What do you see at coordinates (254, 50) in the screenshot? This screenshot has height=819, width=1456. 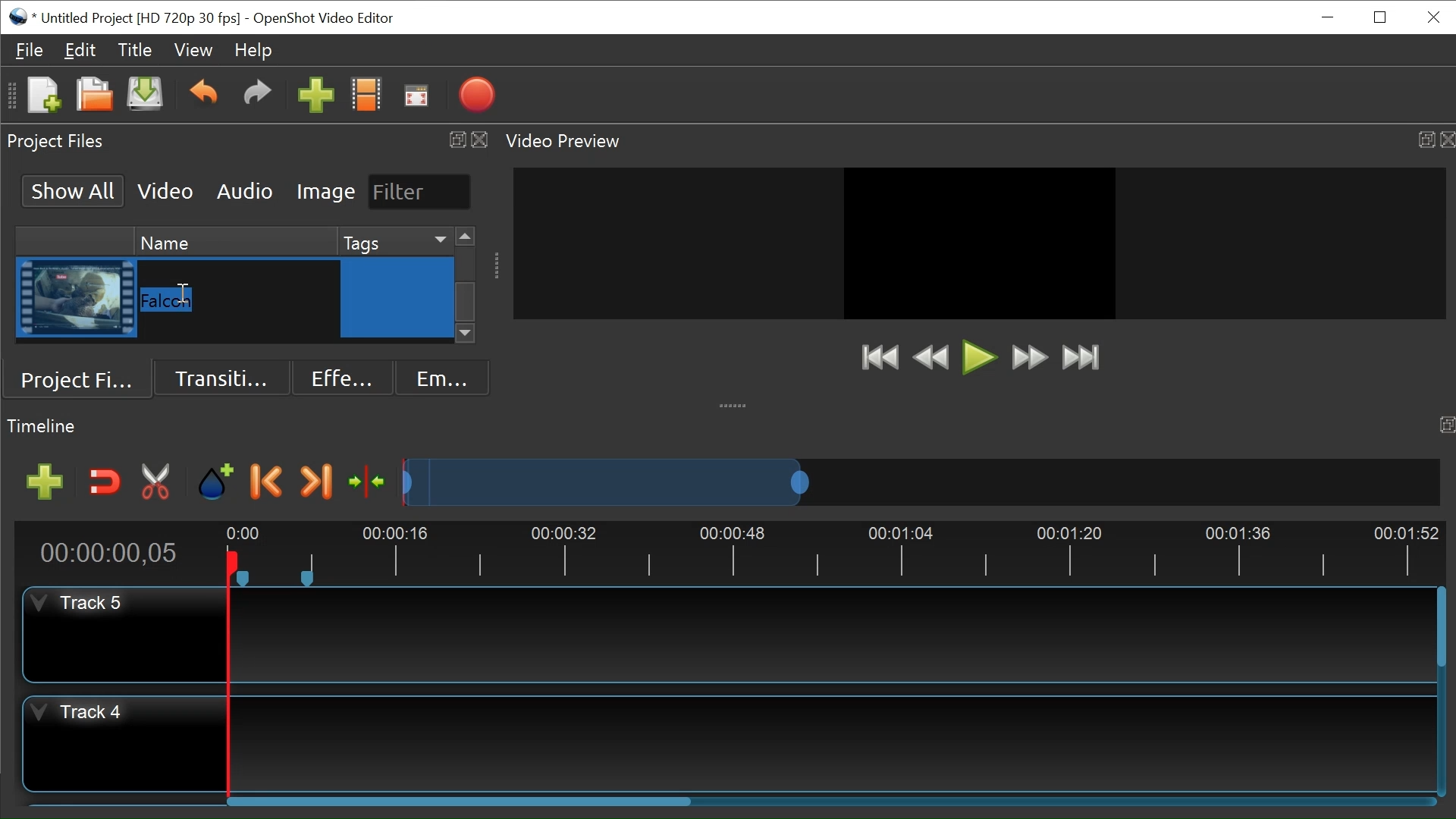 I see `Help` at bounding box center [254, 50].